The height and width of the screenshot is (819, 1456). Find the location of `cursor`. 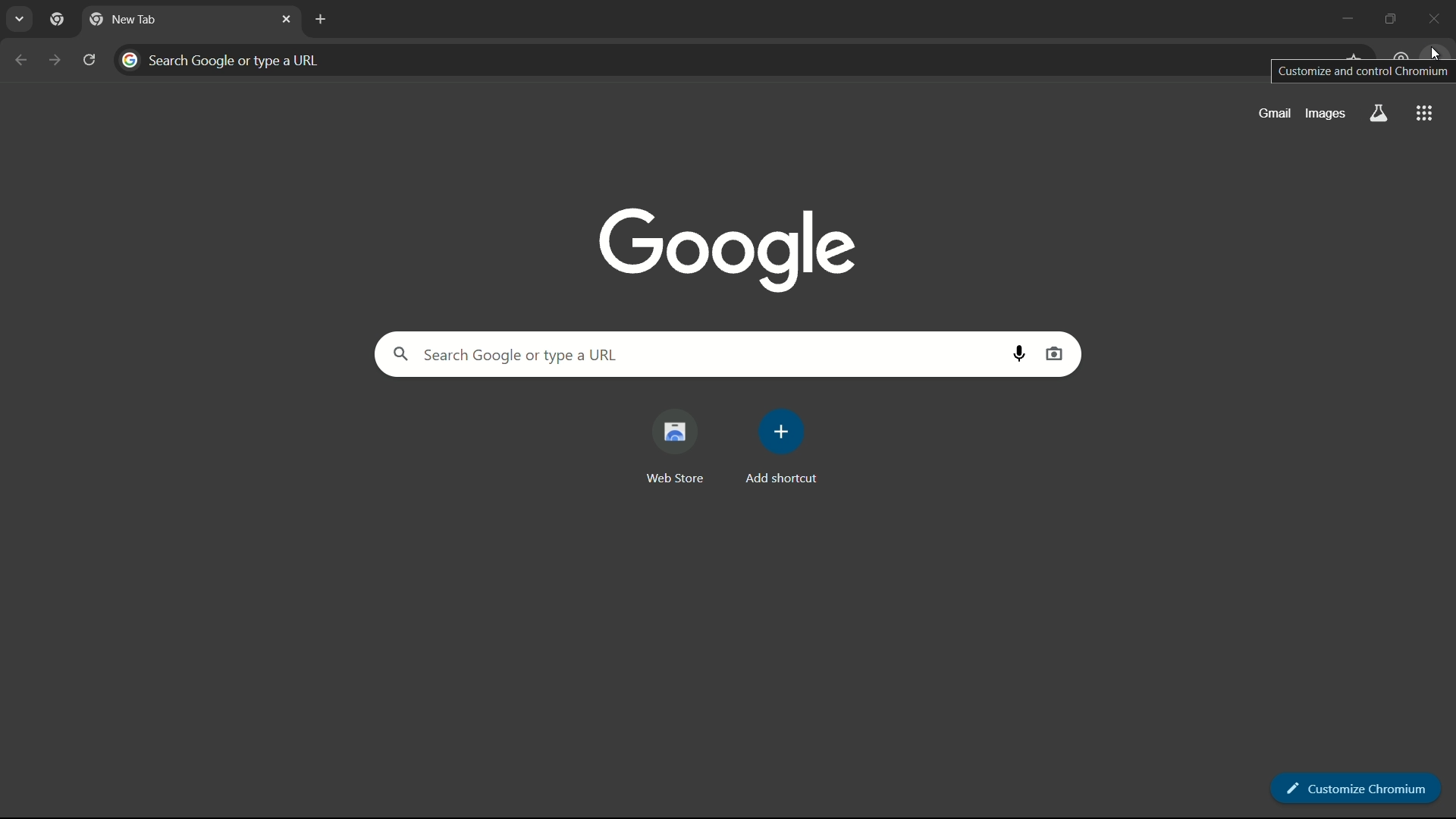

cursor is located at coordinates (1432, 52).